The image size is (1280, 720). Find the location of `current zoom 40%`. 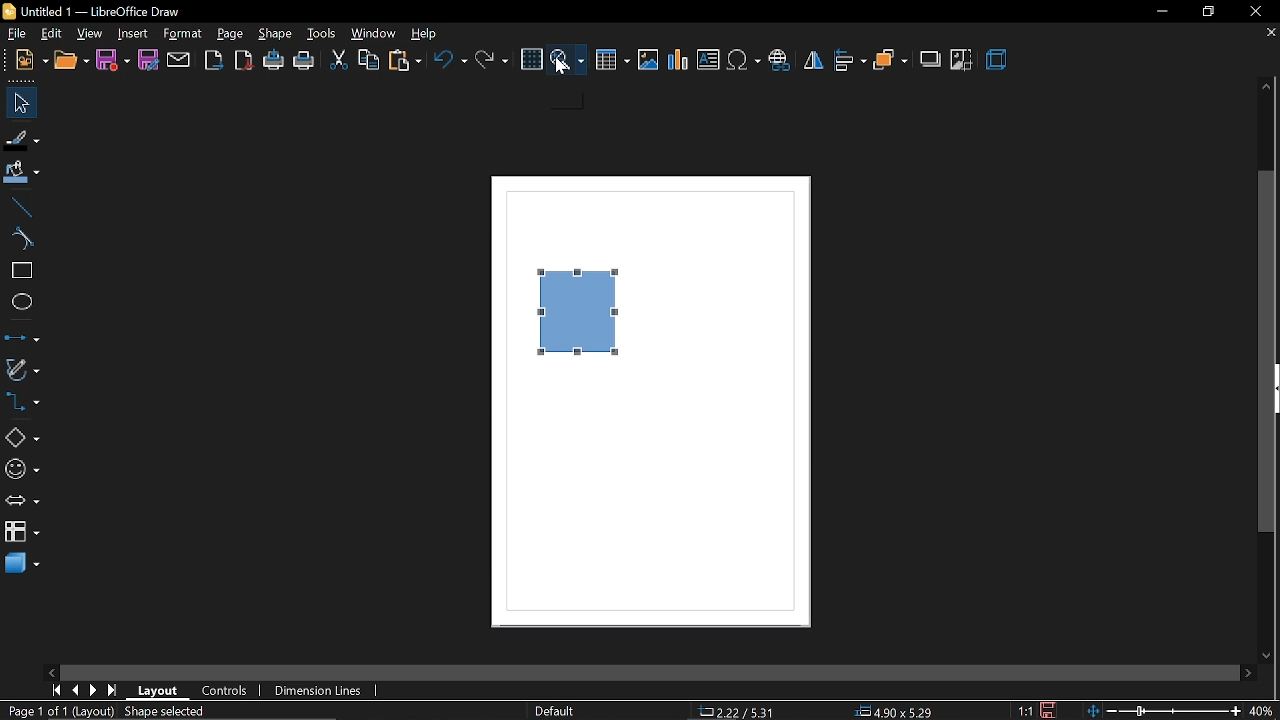

current zoom 40% is located at coordinates (1261, 712).